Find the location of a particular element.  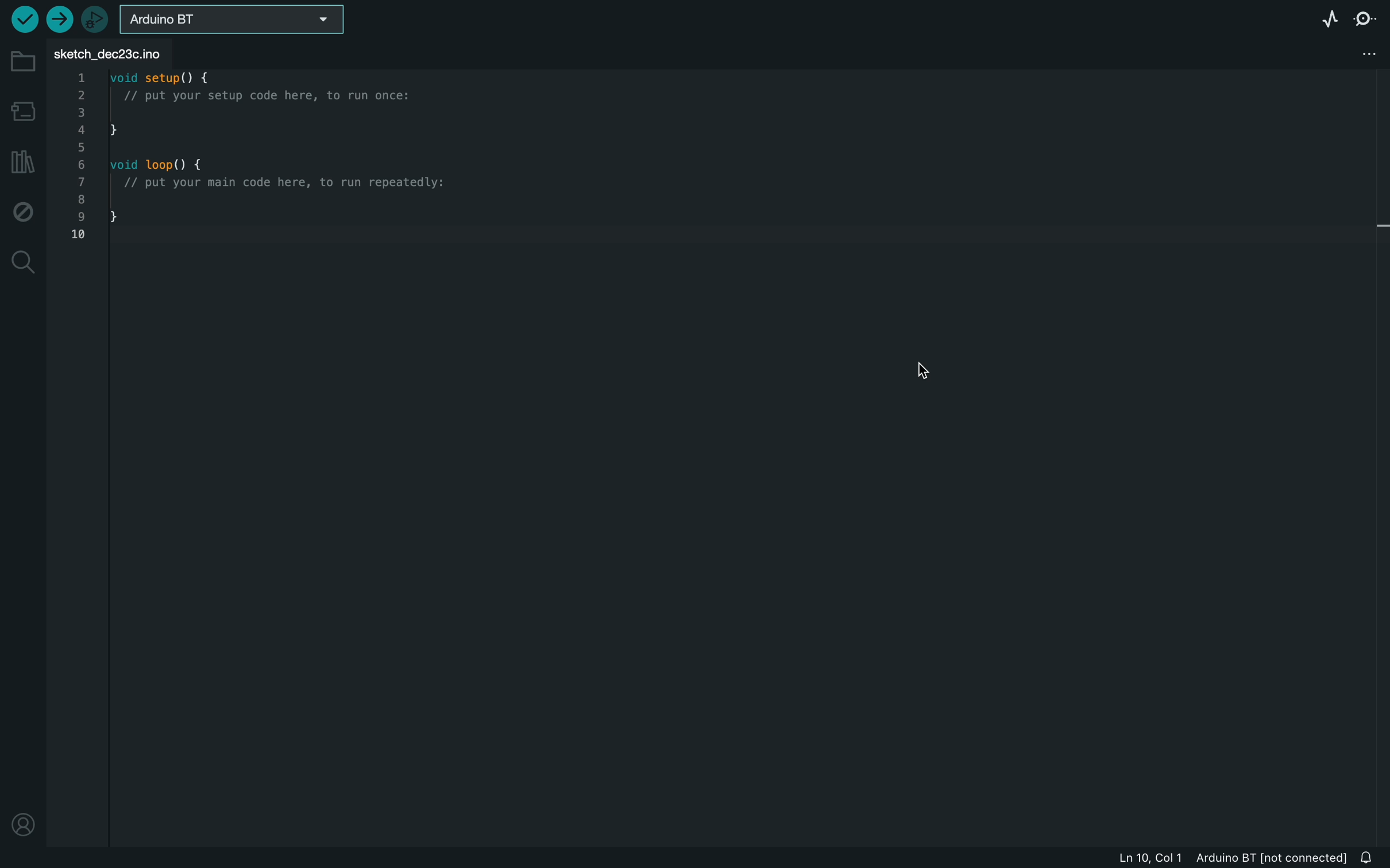

profile is located at coordinates (22, 828).